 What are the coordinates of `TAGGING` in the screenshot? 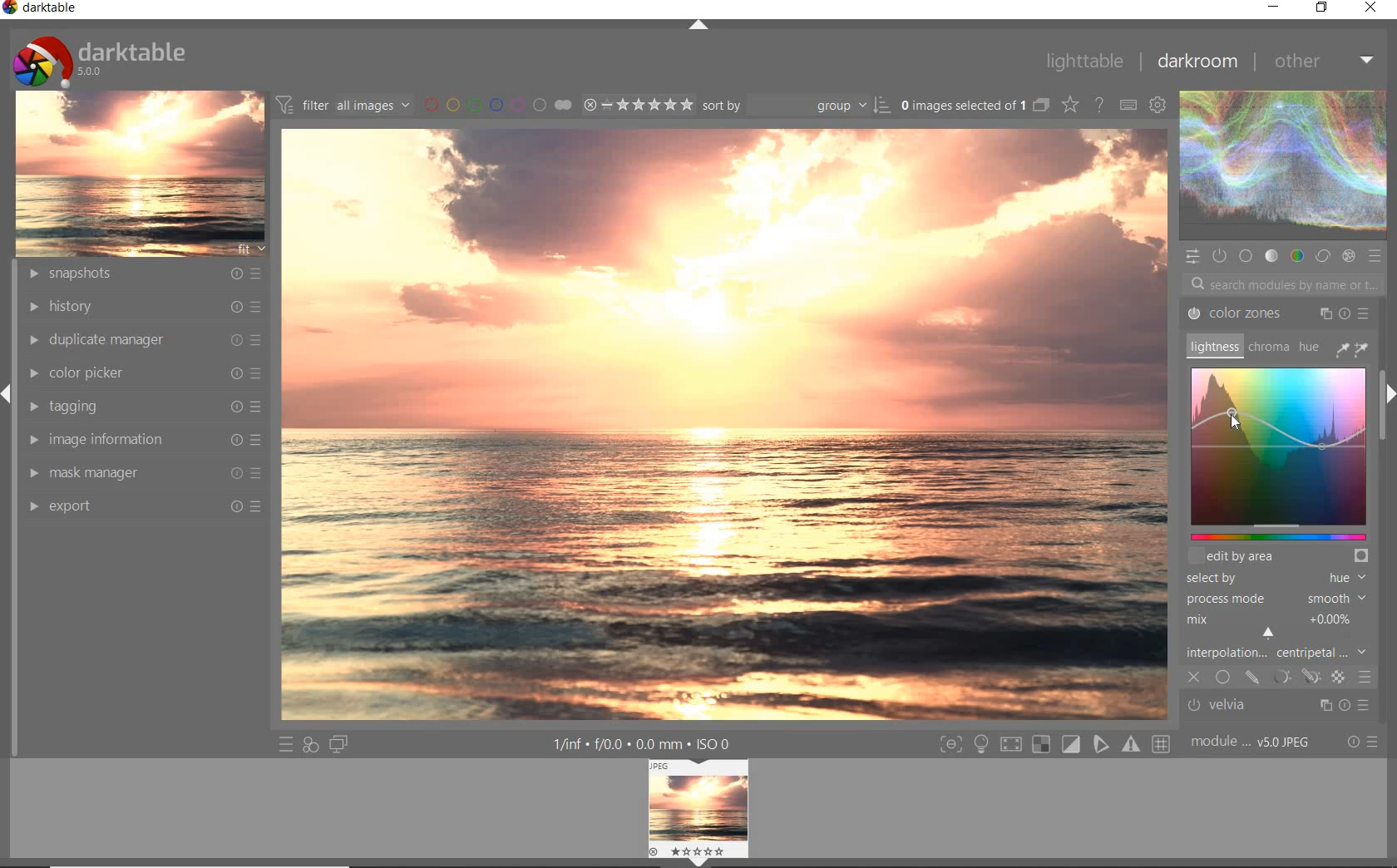 It's located at (142, 405).